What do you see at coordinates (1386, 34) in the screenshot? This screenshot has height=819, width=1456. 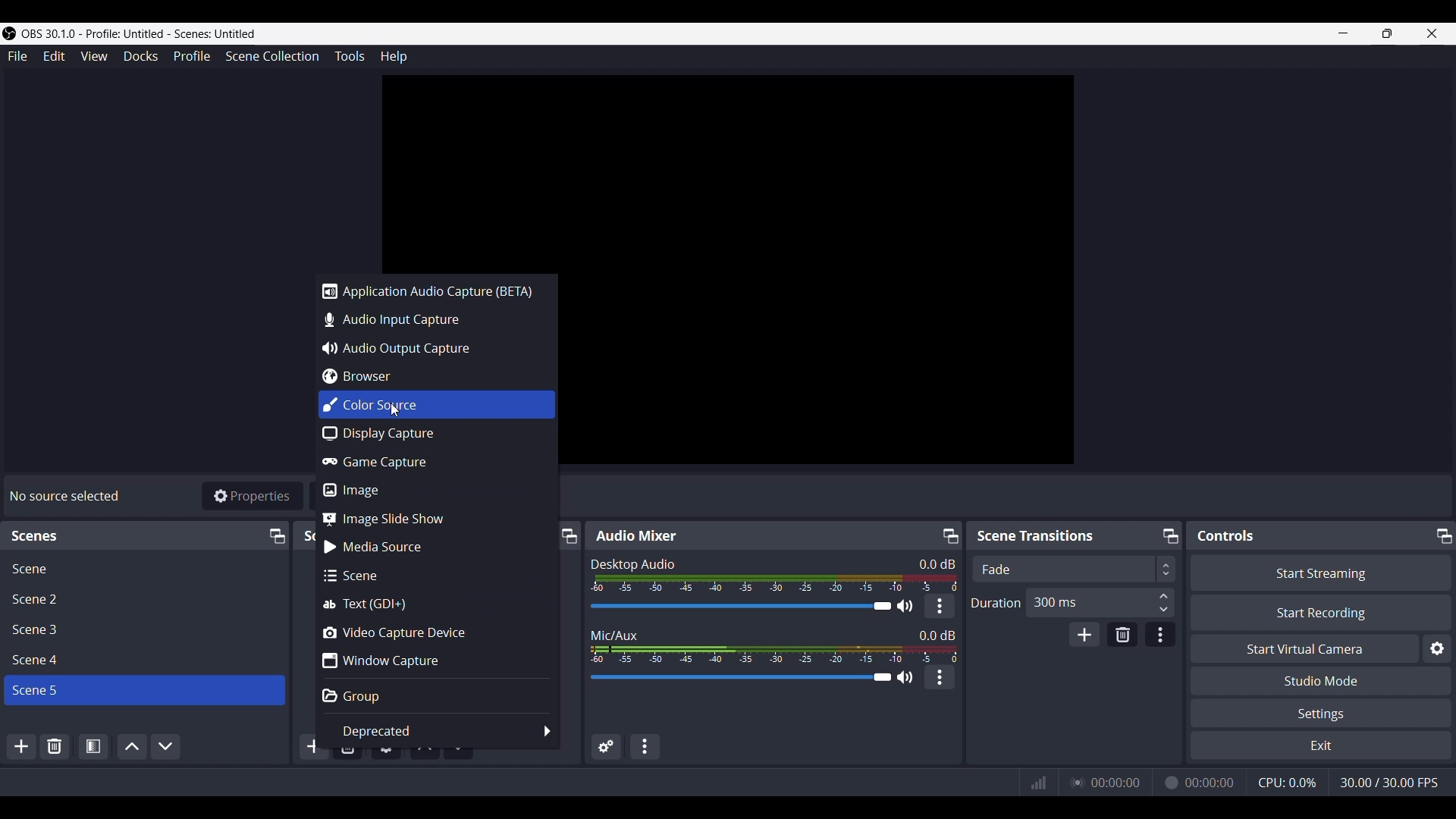 I see `Maximize` at bounding box center [1386, 34].